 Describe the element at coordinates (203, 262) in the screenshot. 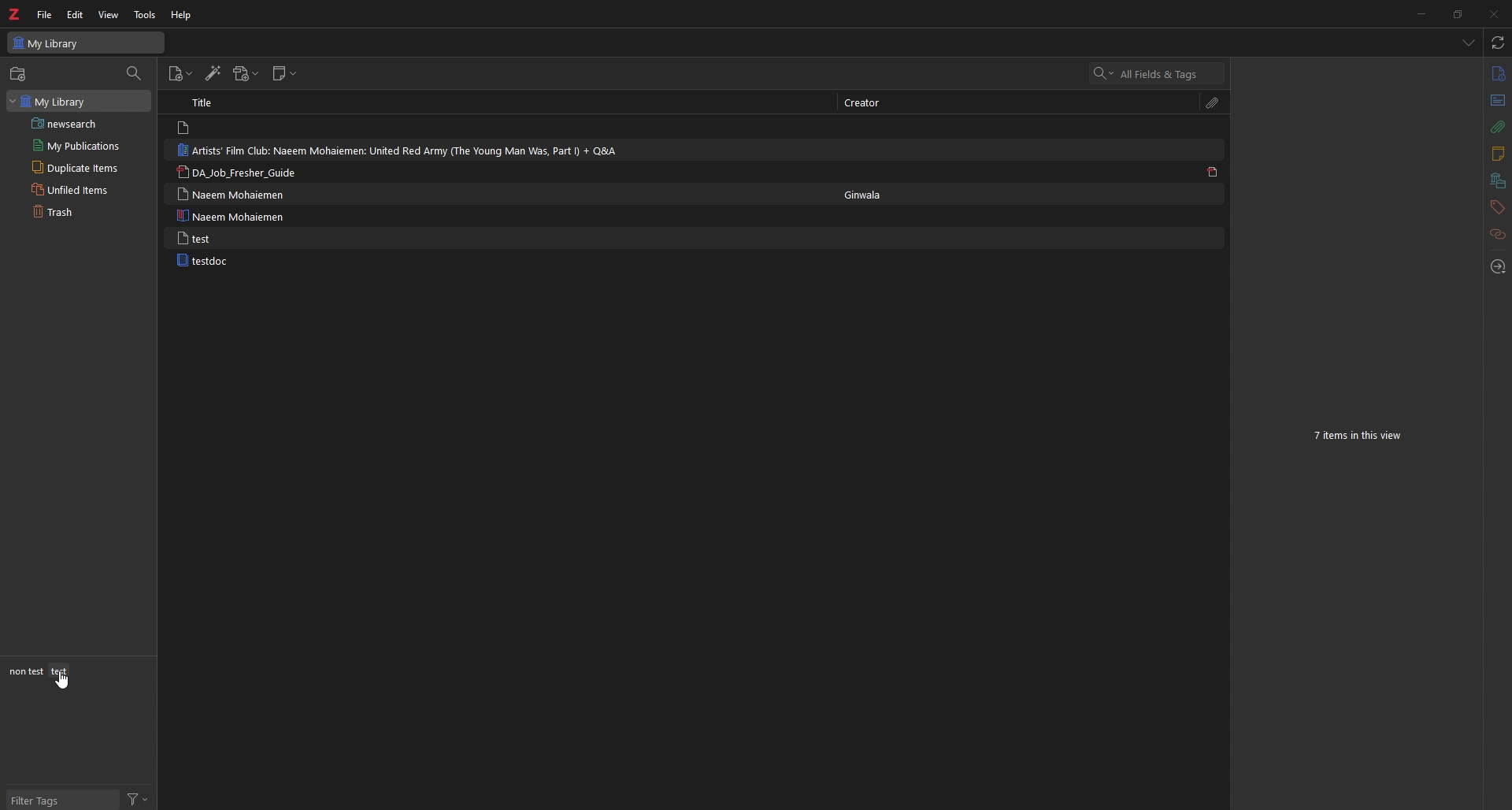

I see `testdoc` at that location.